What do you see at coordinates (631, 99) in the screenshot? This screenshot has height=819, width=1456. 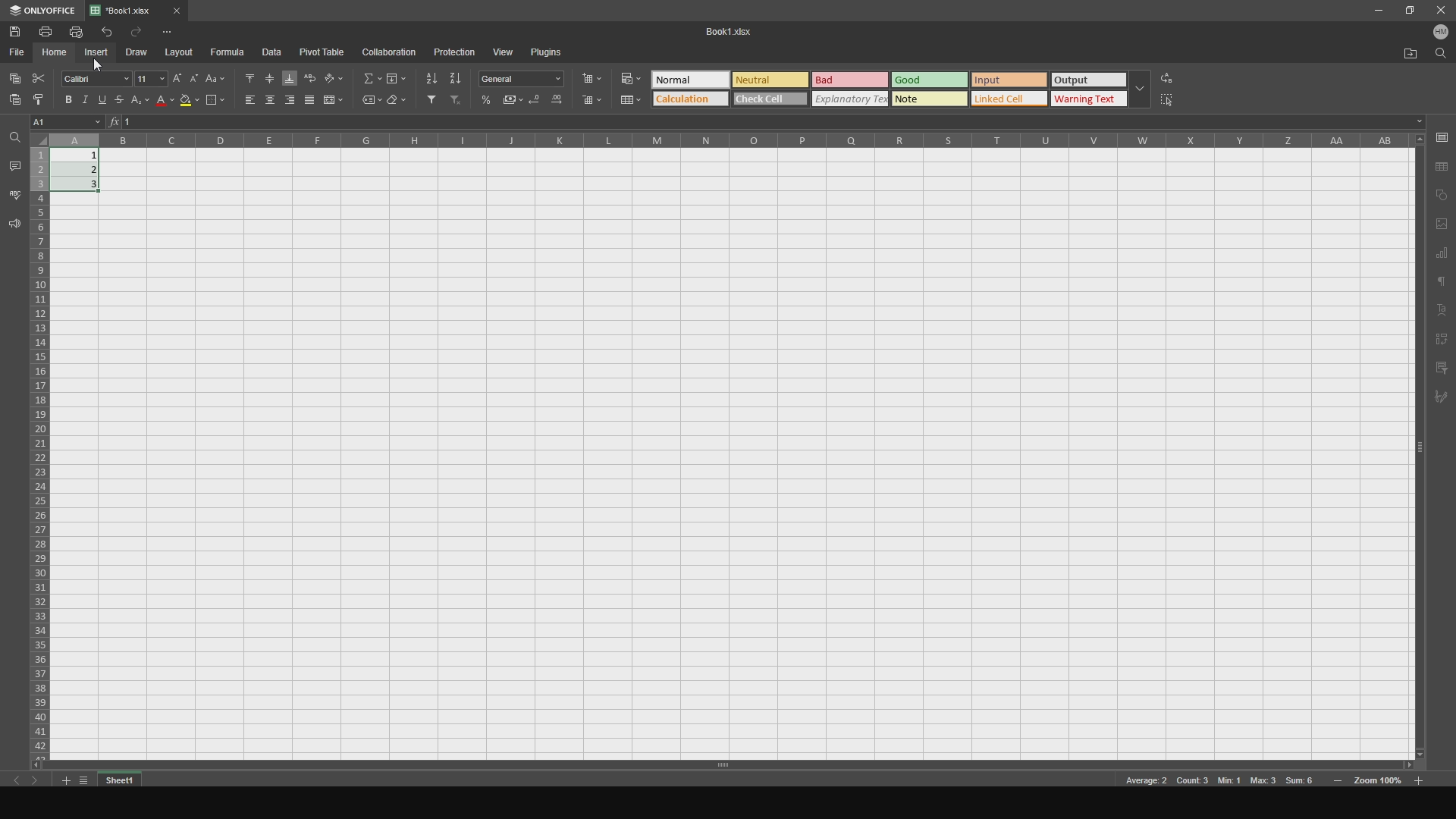 I see `` at bounding box center [631, 99].